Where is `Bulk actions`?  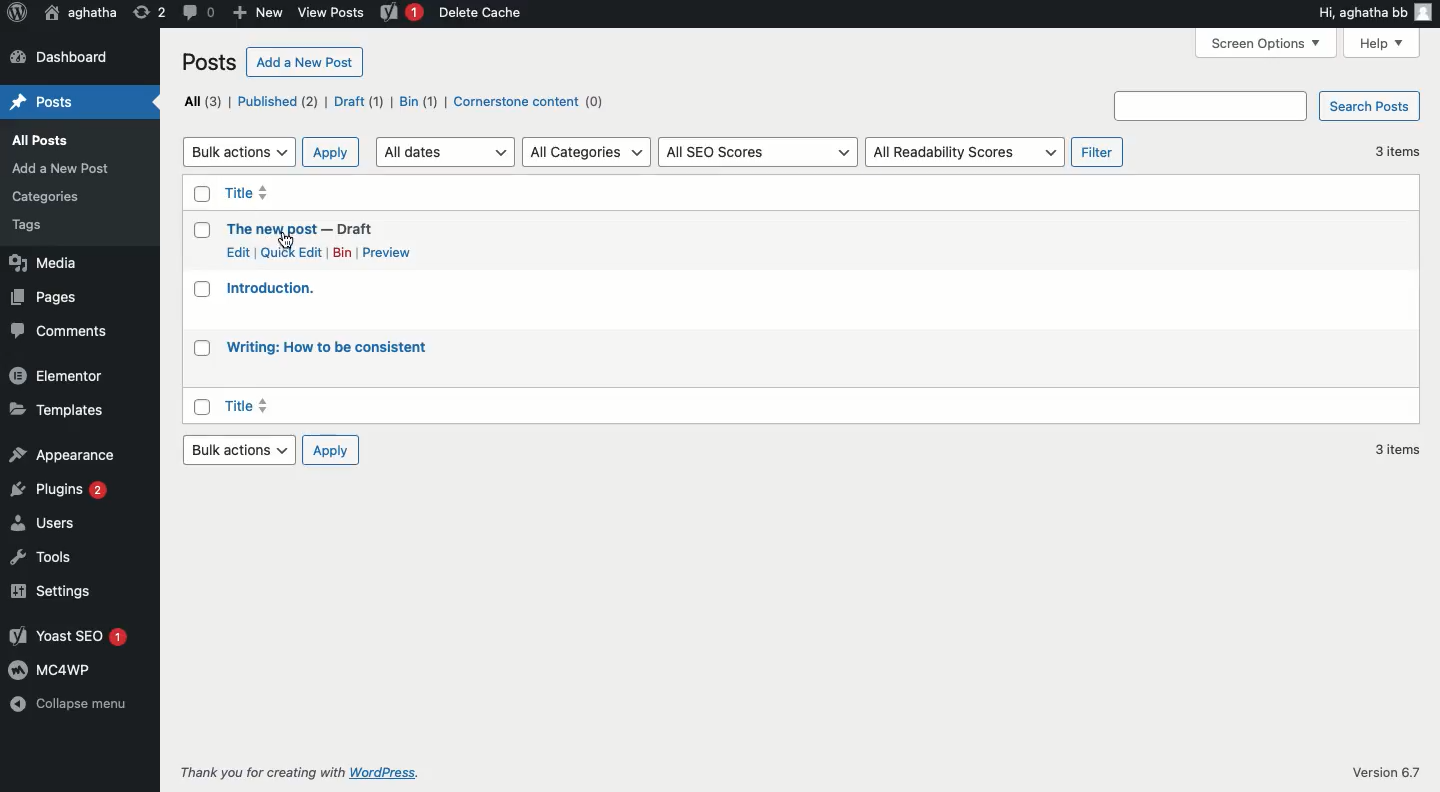 Bulk actions is located at coordinates (237, 450).